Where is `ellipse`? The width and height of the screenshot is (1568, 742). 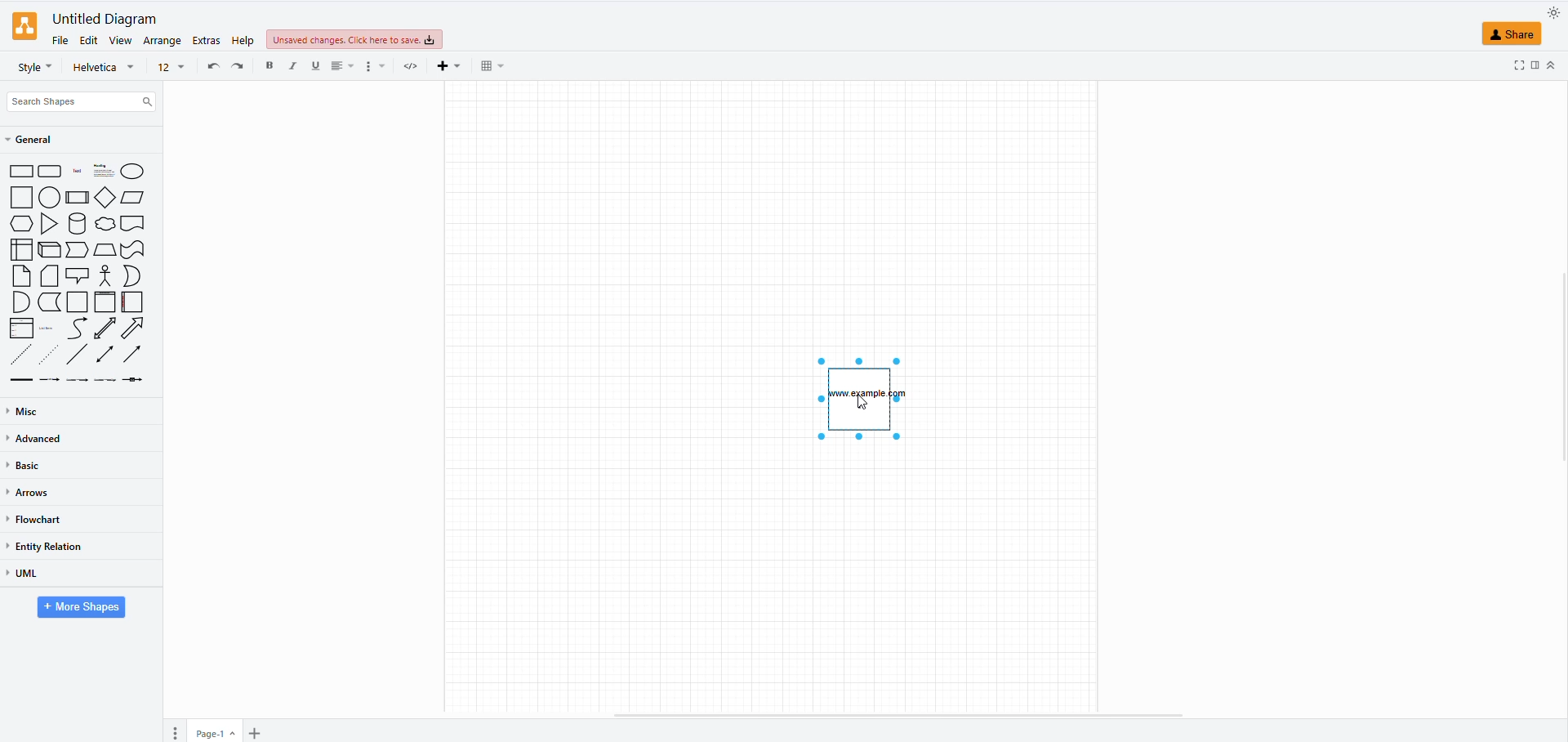
ellipse is located at coordinates (131, 171).